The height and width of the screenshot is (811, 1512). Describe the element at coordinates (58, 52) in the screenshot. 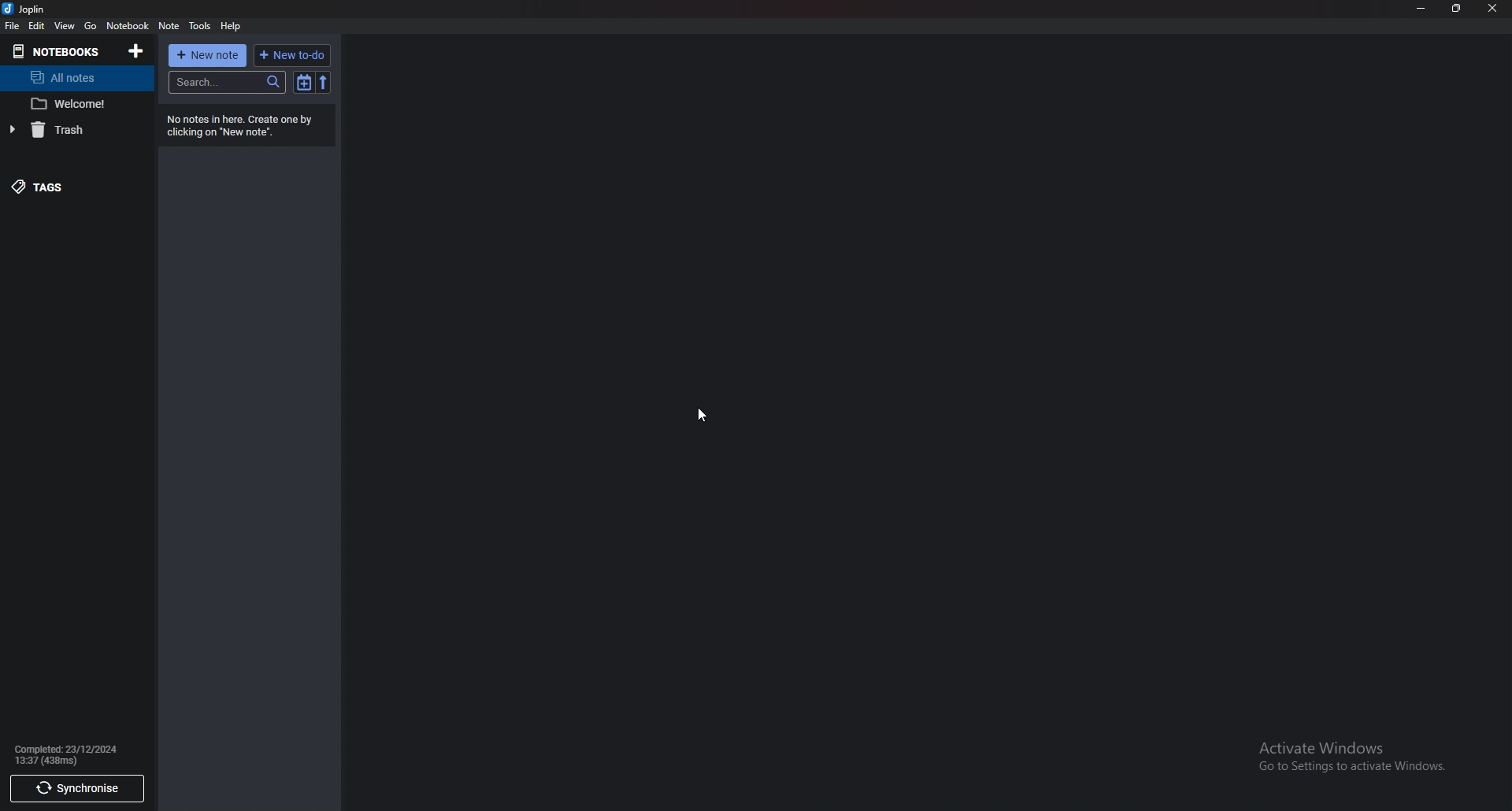

I see `Notebooks` at that location.